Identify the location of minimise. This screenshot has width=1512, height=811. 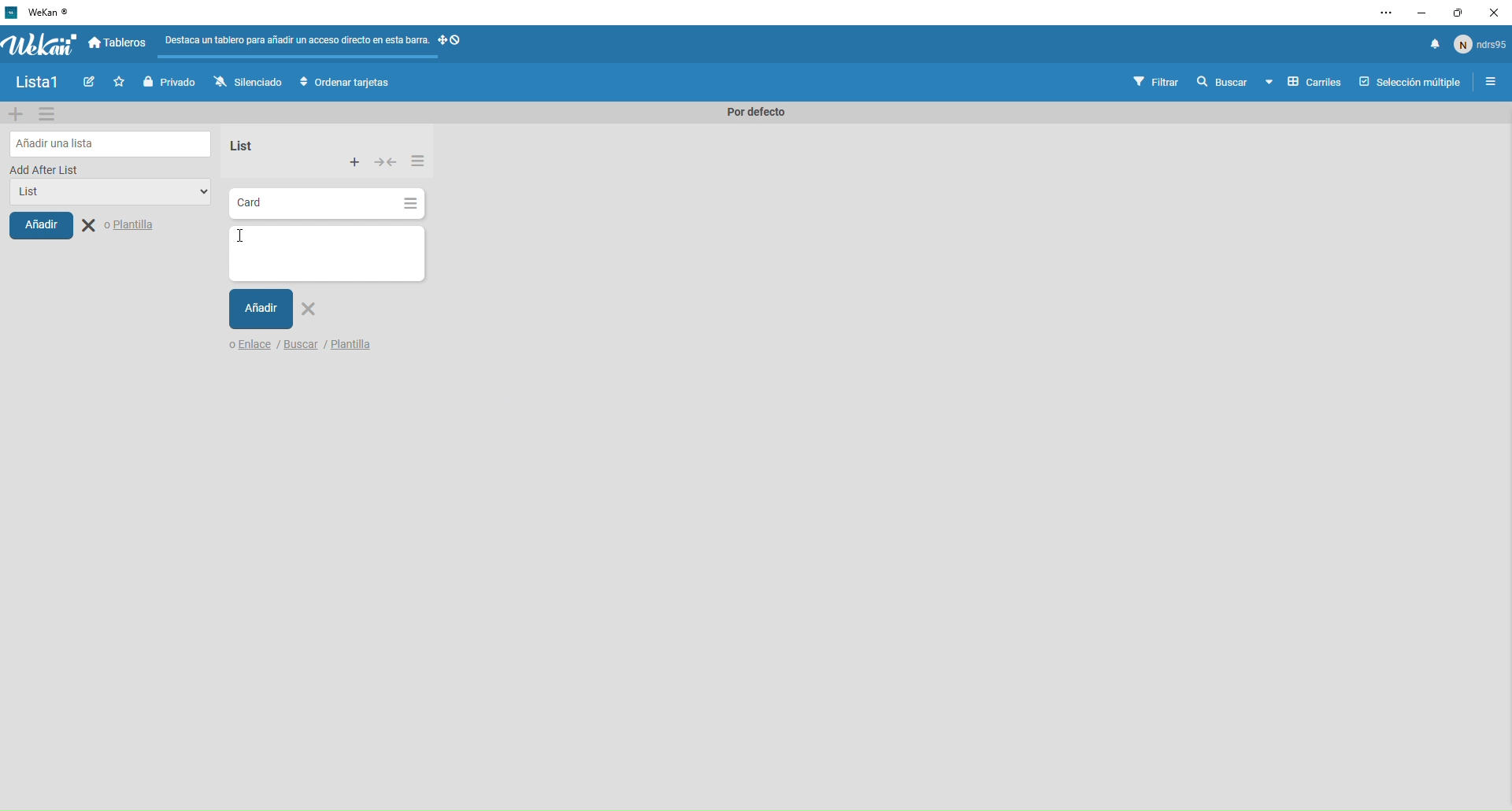
(1420, 13).